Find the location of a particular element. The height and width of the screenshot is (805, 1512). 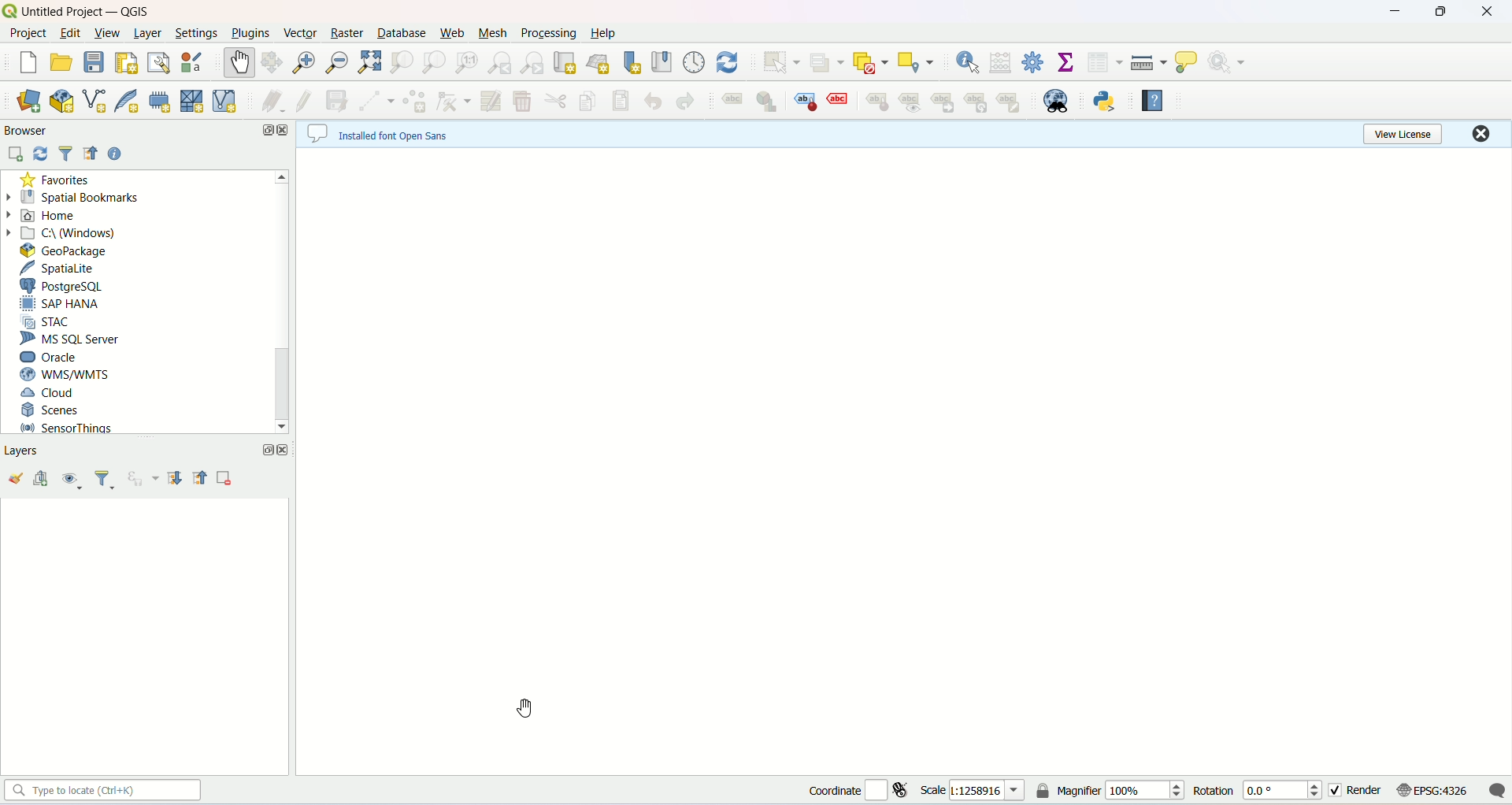

magnifier is located at coordinates (1079, 791).